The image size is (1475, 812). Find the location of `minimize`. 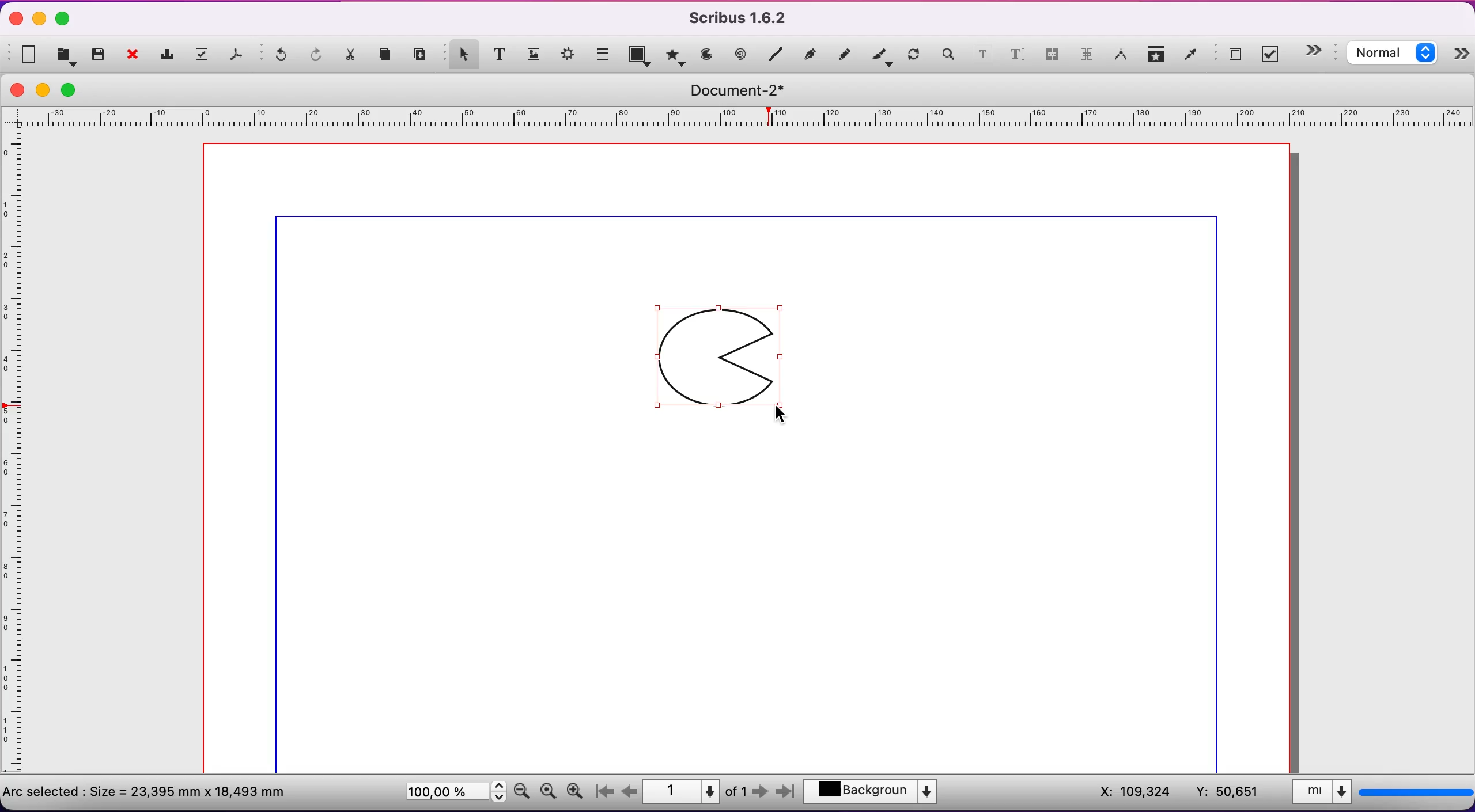

minimize is located at coordinates (46, 90).